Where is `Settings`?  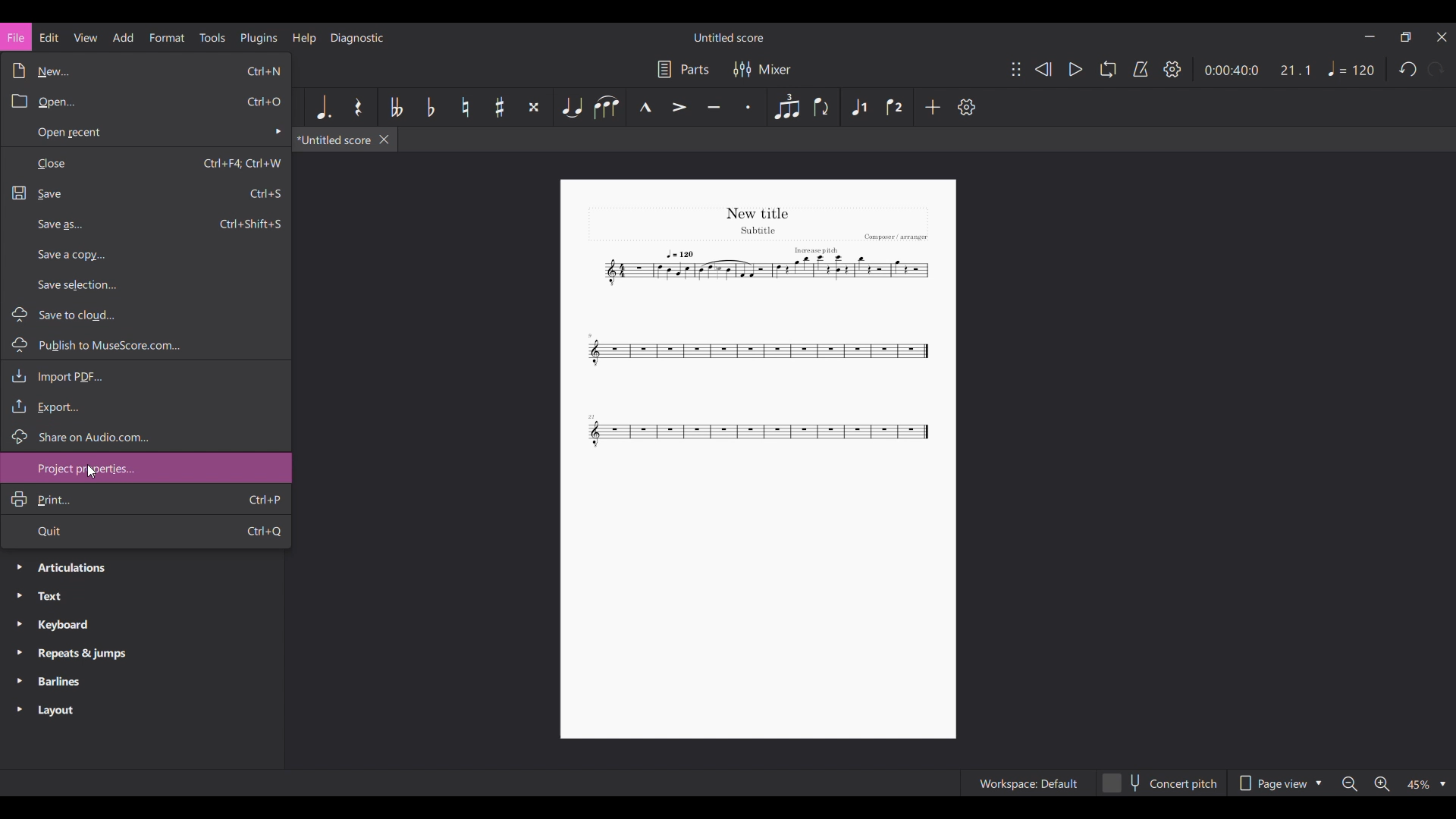
Settings is located at coordinates (966, 107).